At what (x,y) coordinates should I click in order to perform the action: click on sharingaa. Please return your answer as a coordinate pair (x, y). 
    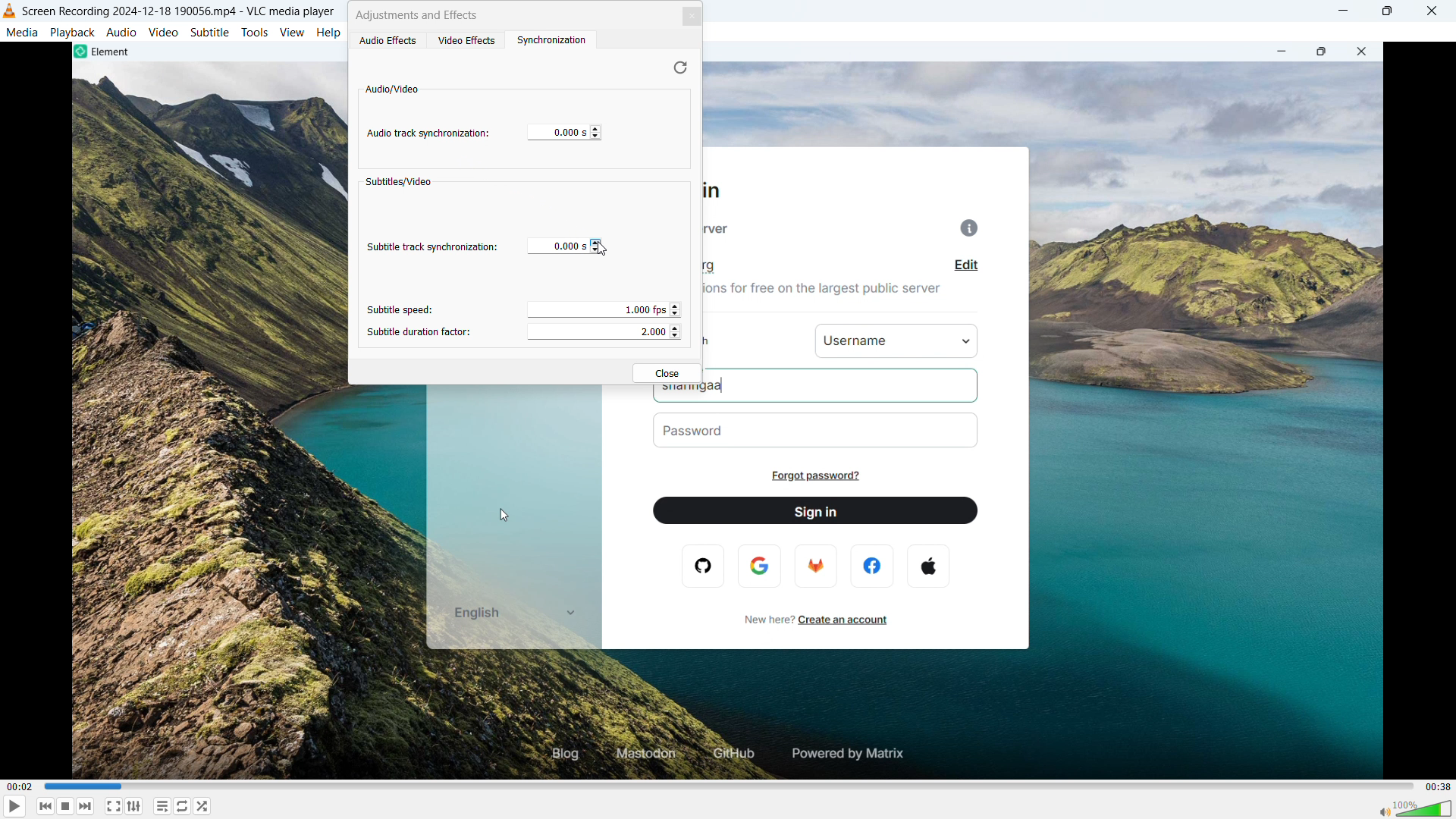
    Looking at the image, I should click on (818, 394).